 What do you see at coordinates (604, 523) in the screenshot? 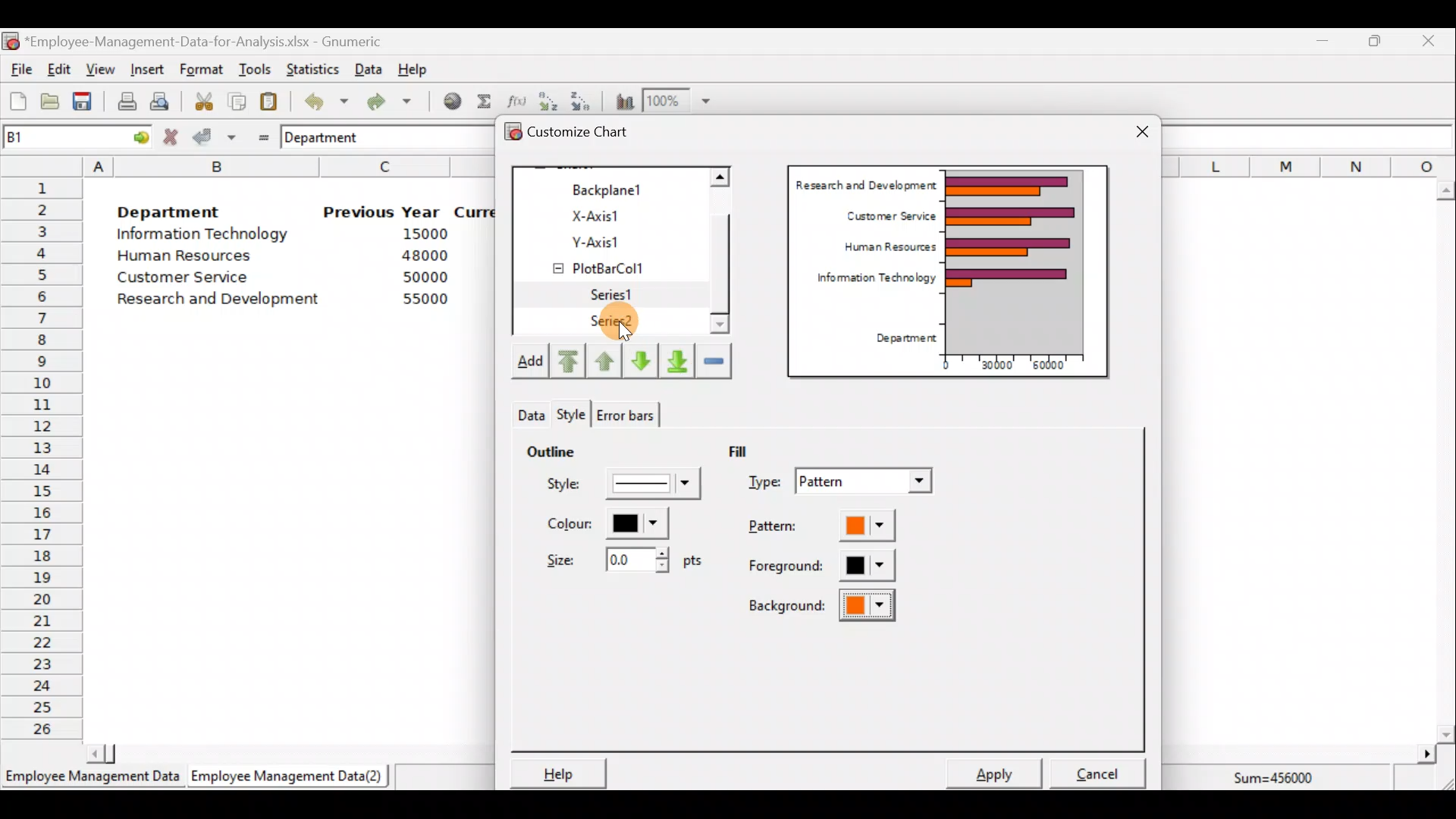
I see `Color` at bounding box center [604, 523].